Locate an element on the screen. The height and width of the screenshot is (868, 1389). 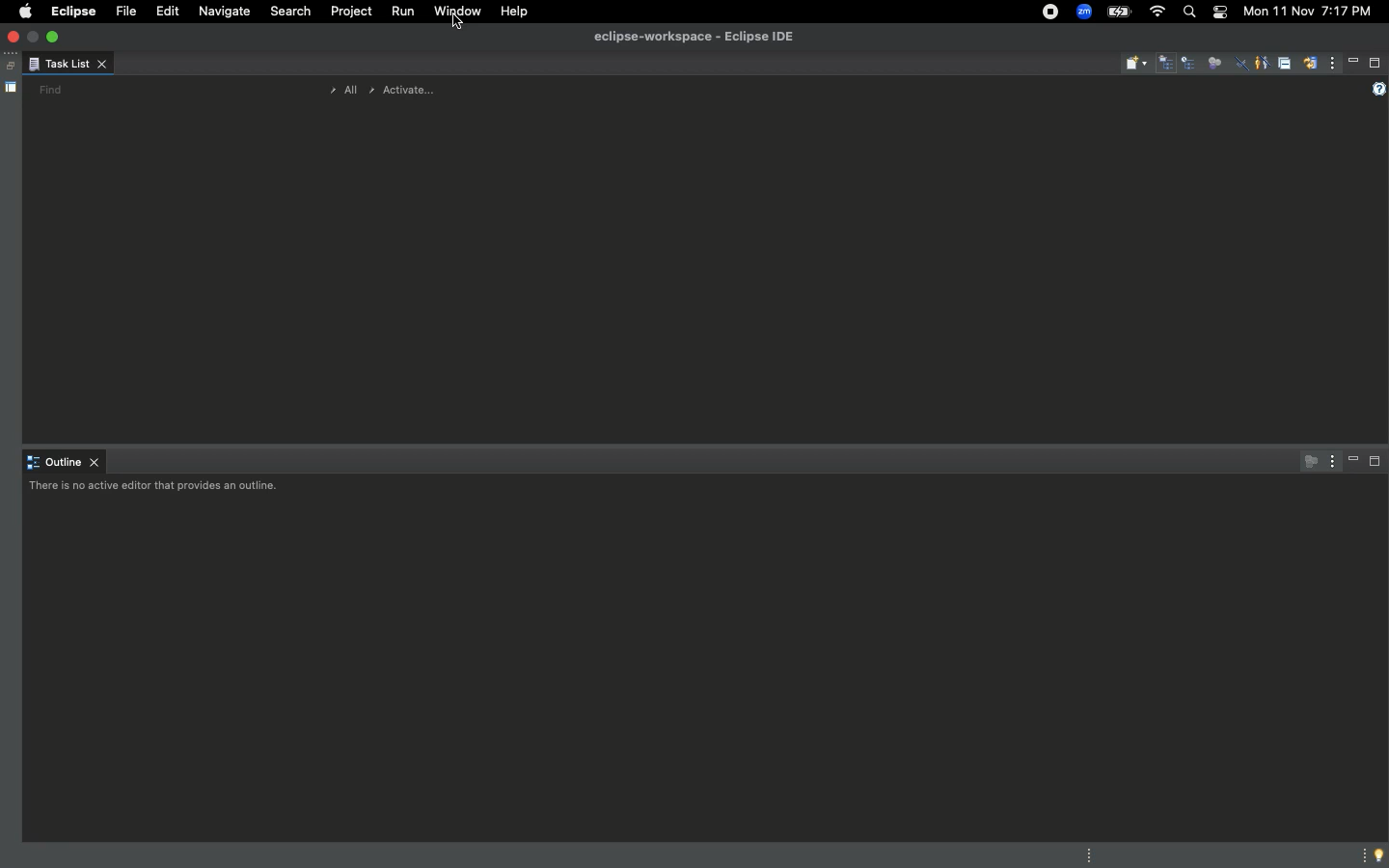
Show only my tasks is located at coordinates (1261, 62).